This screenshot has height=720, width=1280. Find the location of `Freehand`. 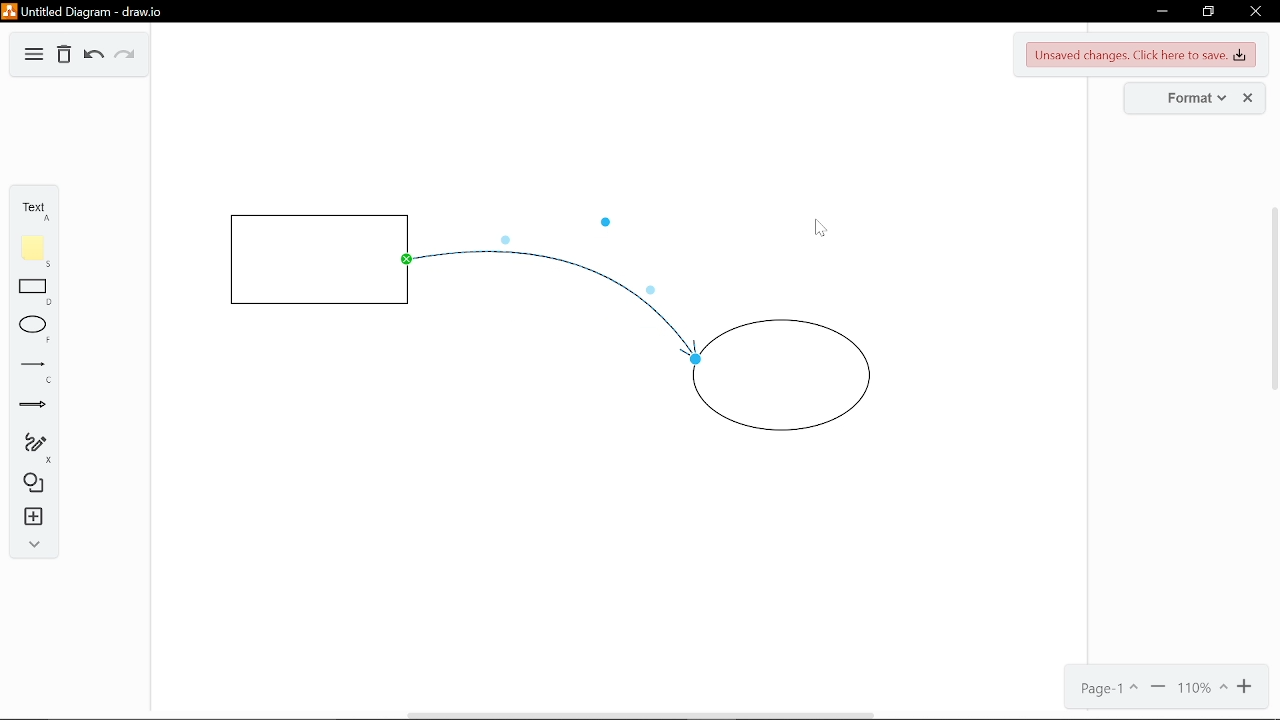

Freehand is located at coordinates (30, 447).